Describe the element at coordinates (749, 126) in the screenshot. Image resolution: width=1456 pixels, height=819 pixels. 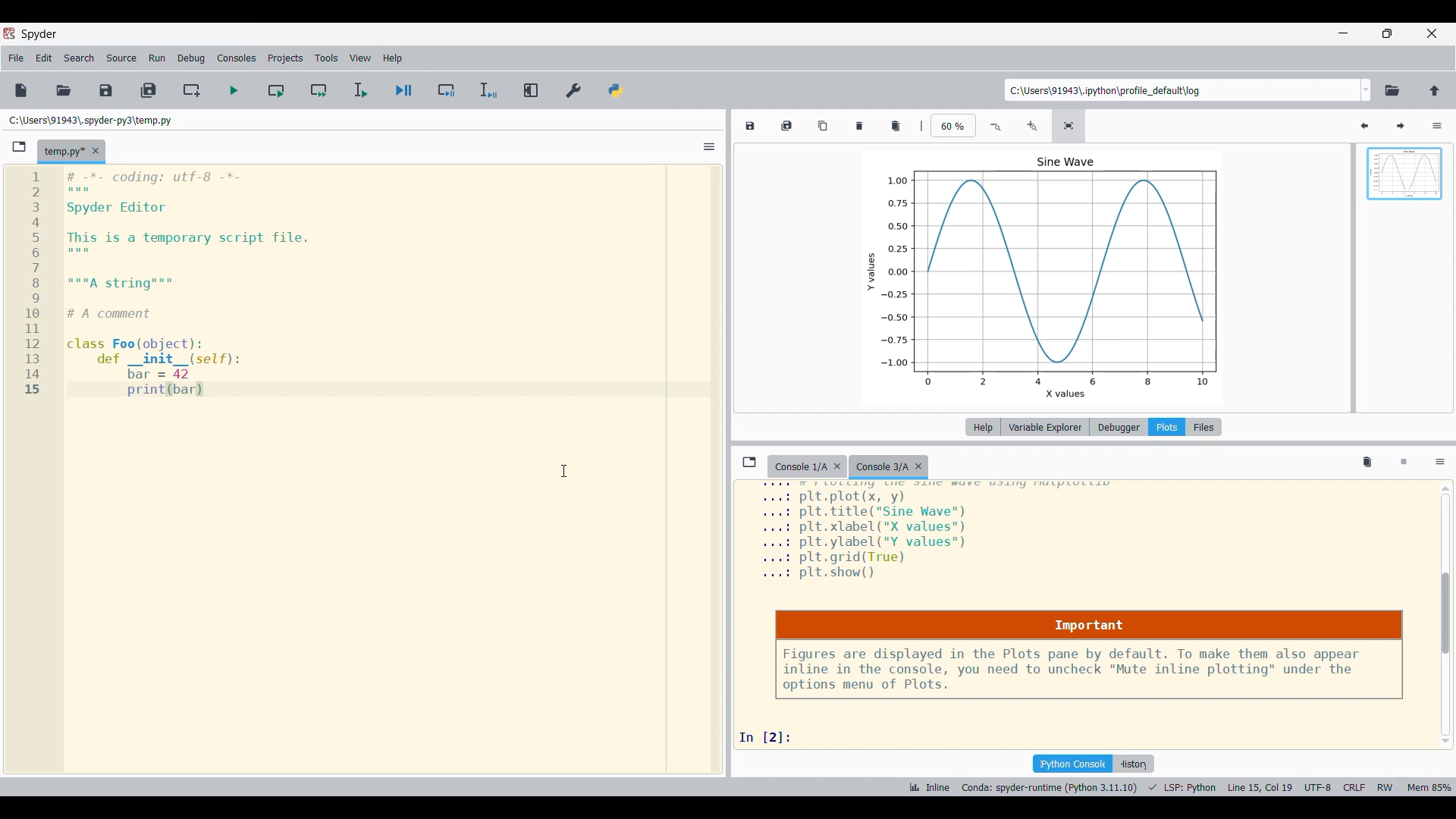
I see `Save plot as` at that location.